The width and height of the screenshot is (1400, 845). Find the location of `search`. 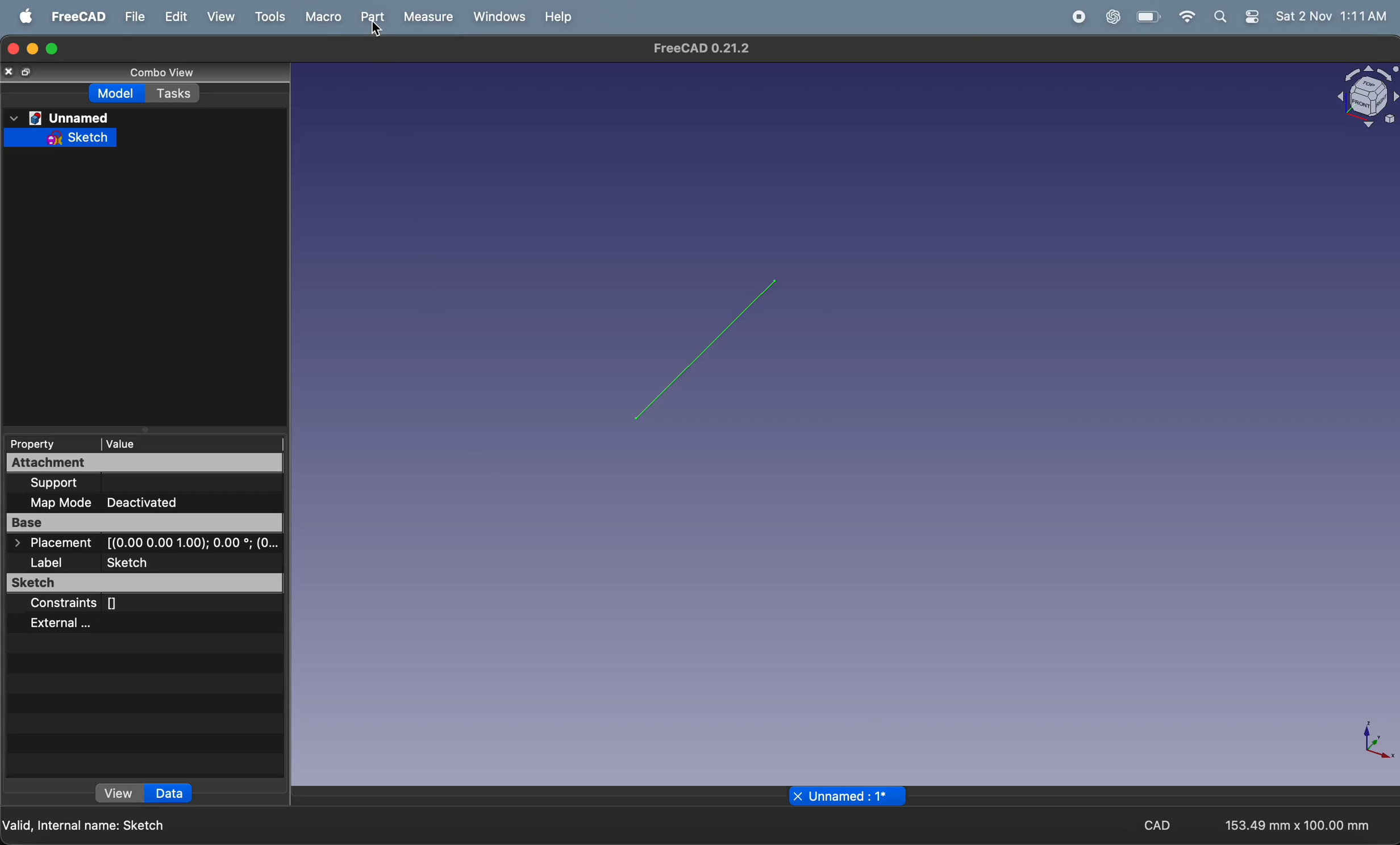

search is located at coordinates (1221, 18).